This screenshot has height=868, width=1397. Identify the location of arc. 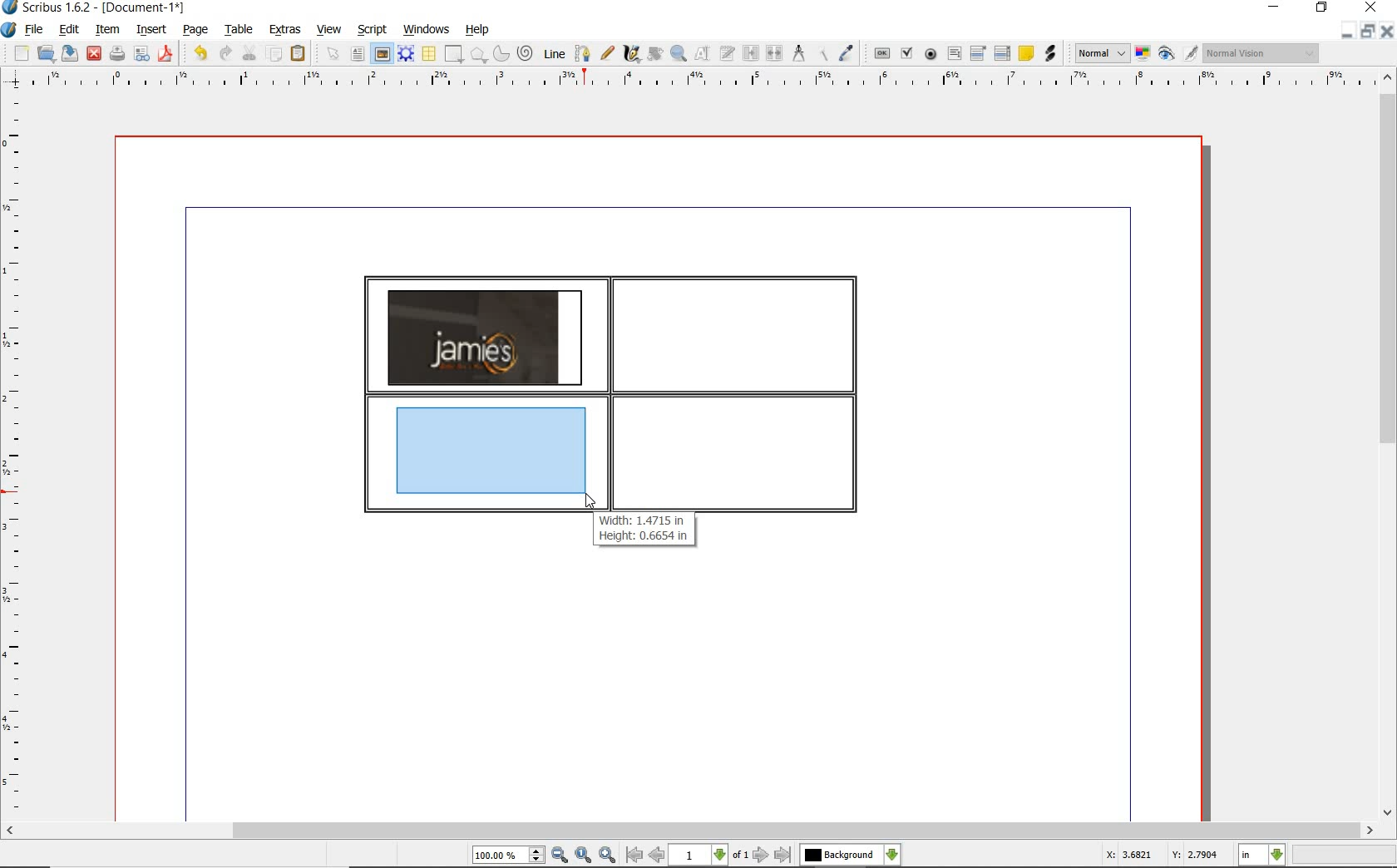
(503, 55).